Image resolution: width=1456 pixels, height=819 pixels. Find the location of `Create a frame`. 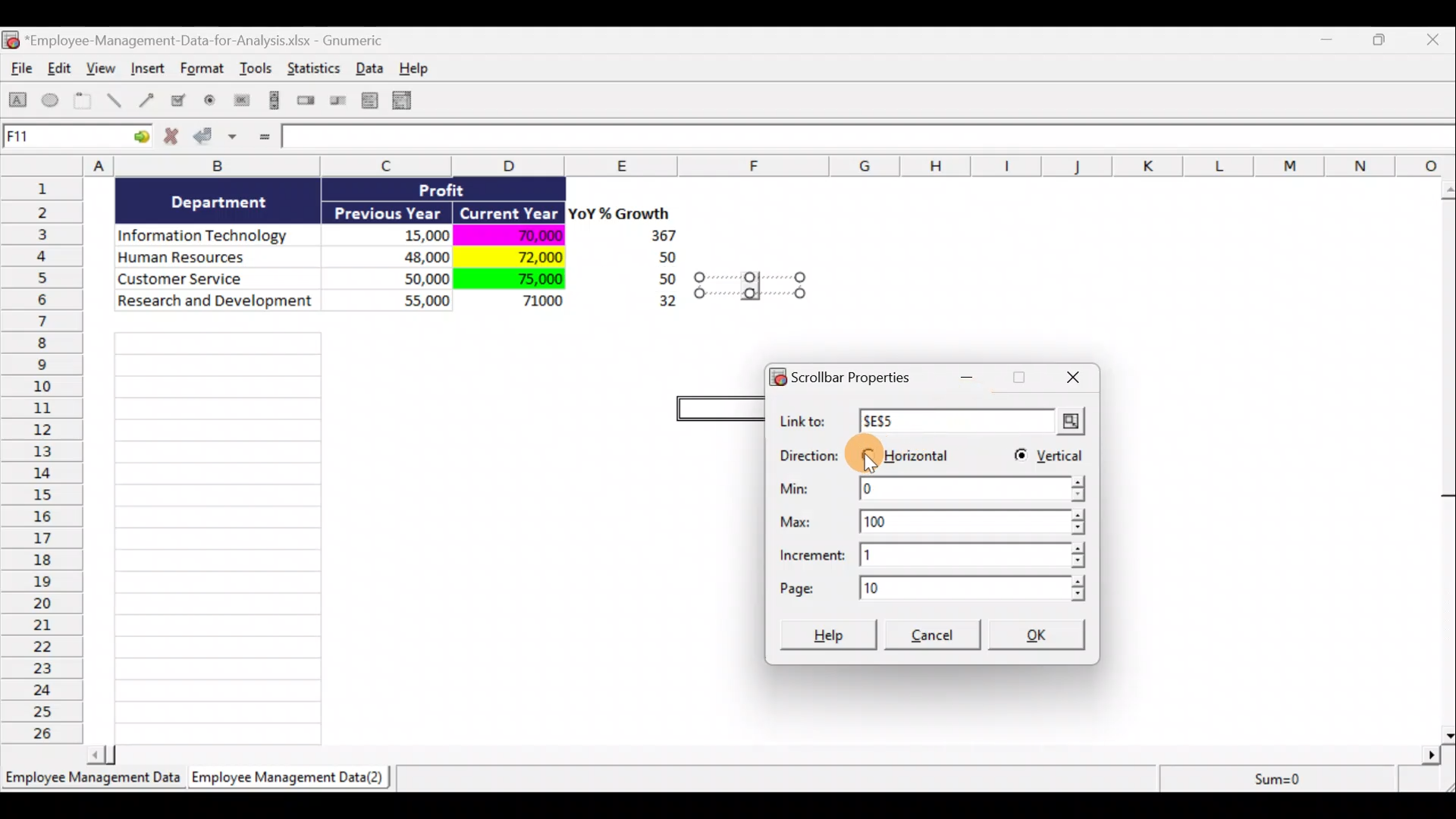

Create a frame is located at coordinates (83, 102).